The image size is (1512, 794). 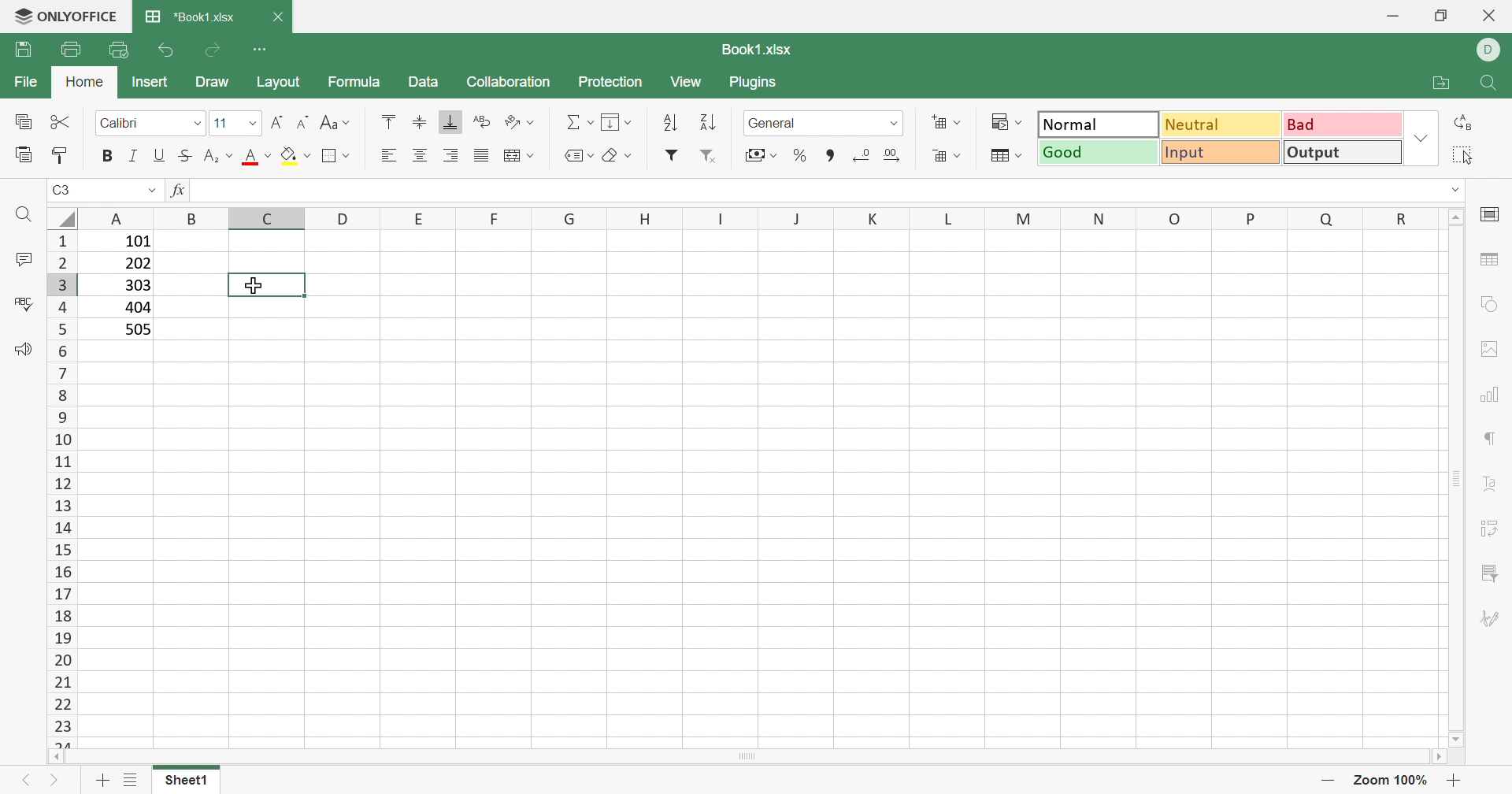 What do you see at coordinates (24, 123) in the screenshot?
I see `Copy` at bounding box center [24, 123].